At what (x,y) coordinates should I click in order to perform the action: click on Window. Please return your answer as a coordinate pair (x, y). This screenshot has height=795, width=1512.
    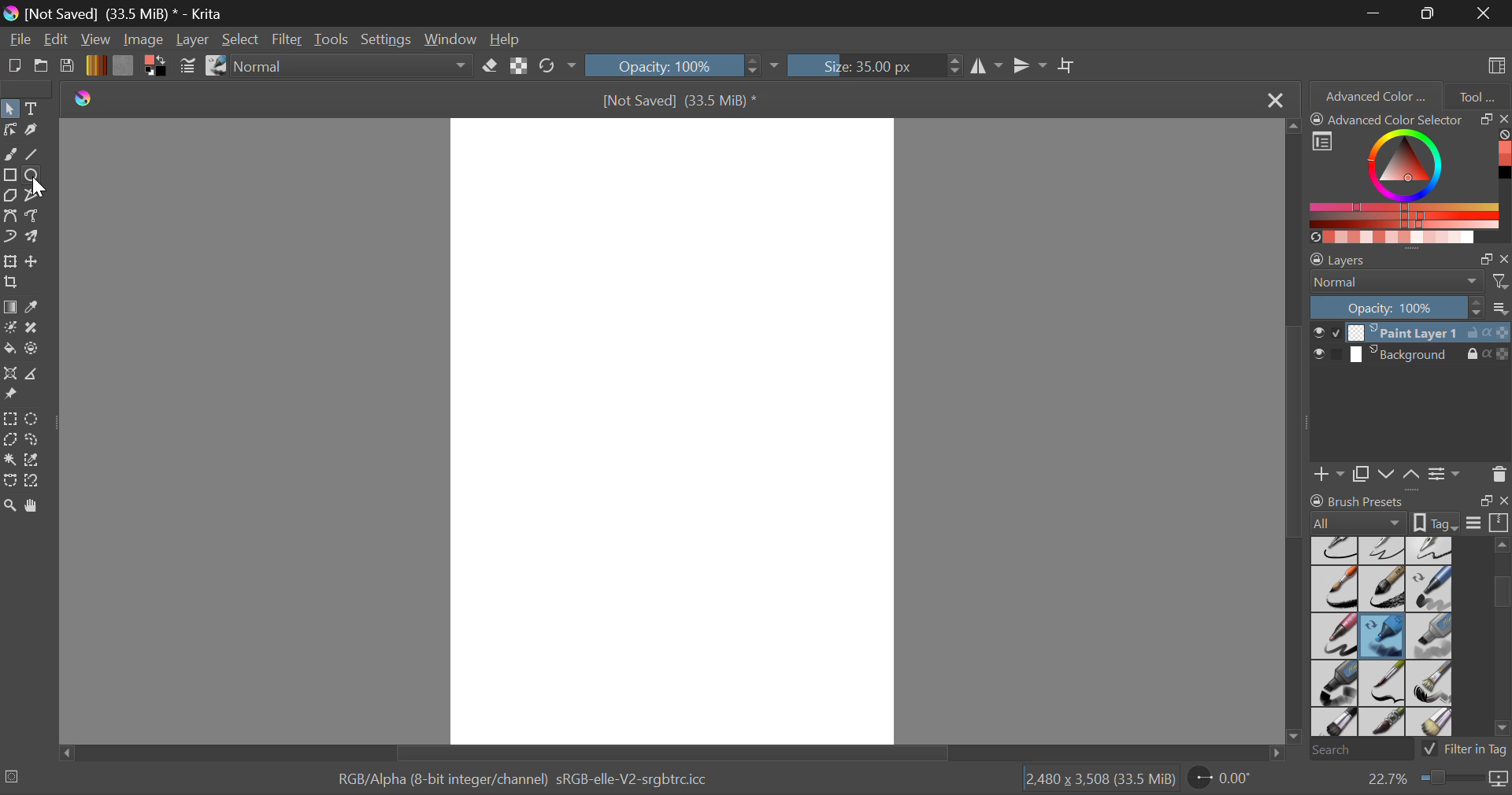
    Looking at the image, I should click on (455, 40).